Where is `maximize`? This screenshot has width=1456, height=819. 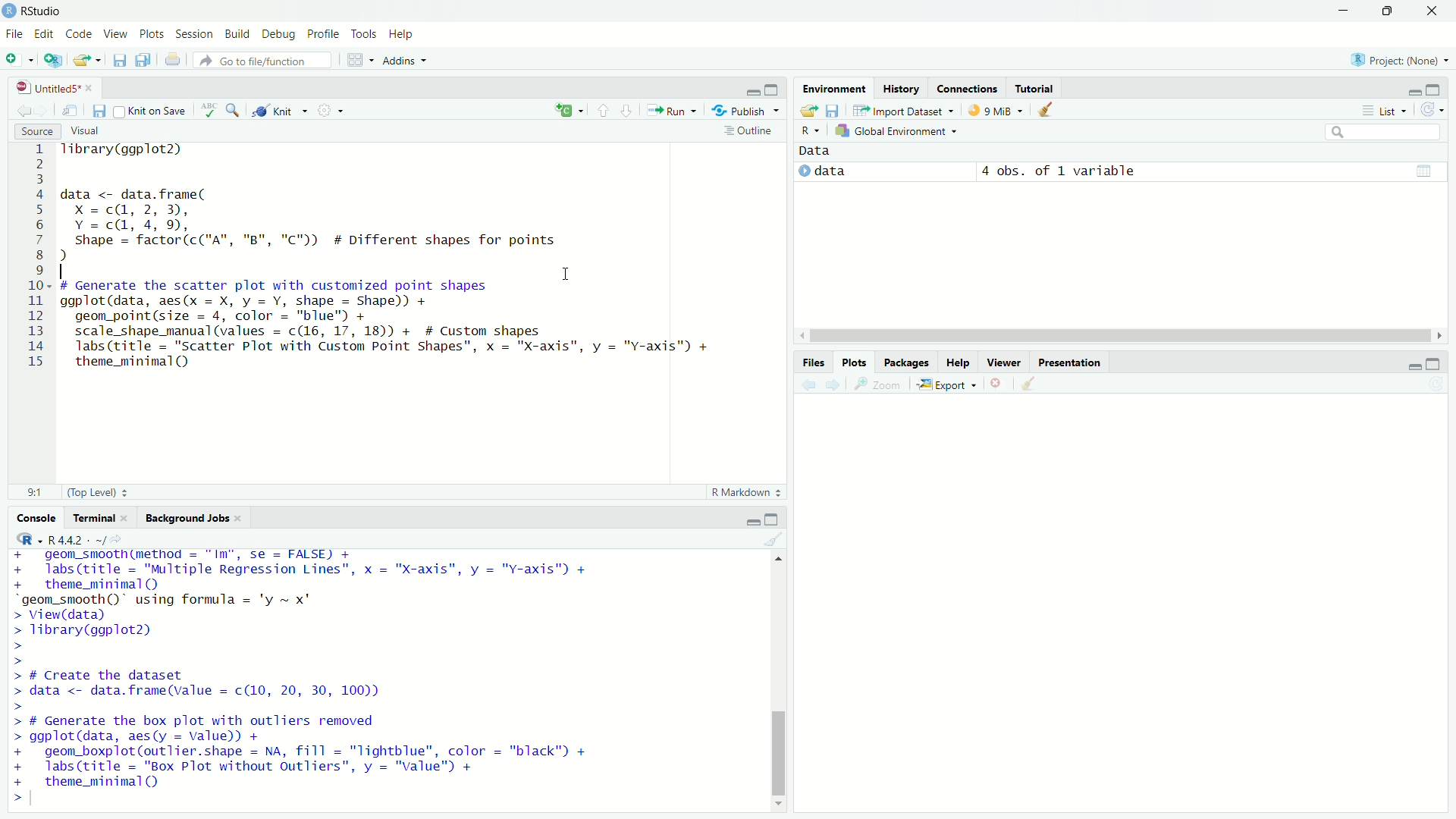
maximize is located at coordinates (773, 90).